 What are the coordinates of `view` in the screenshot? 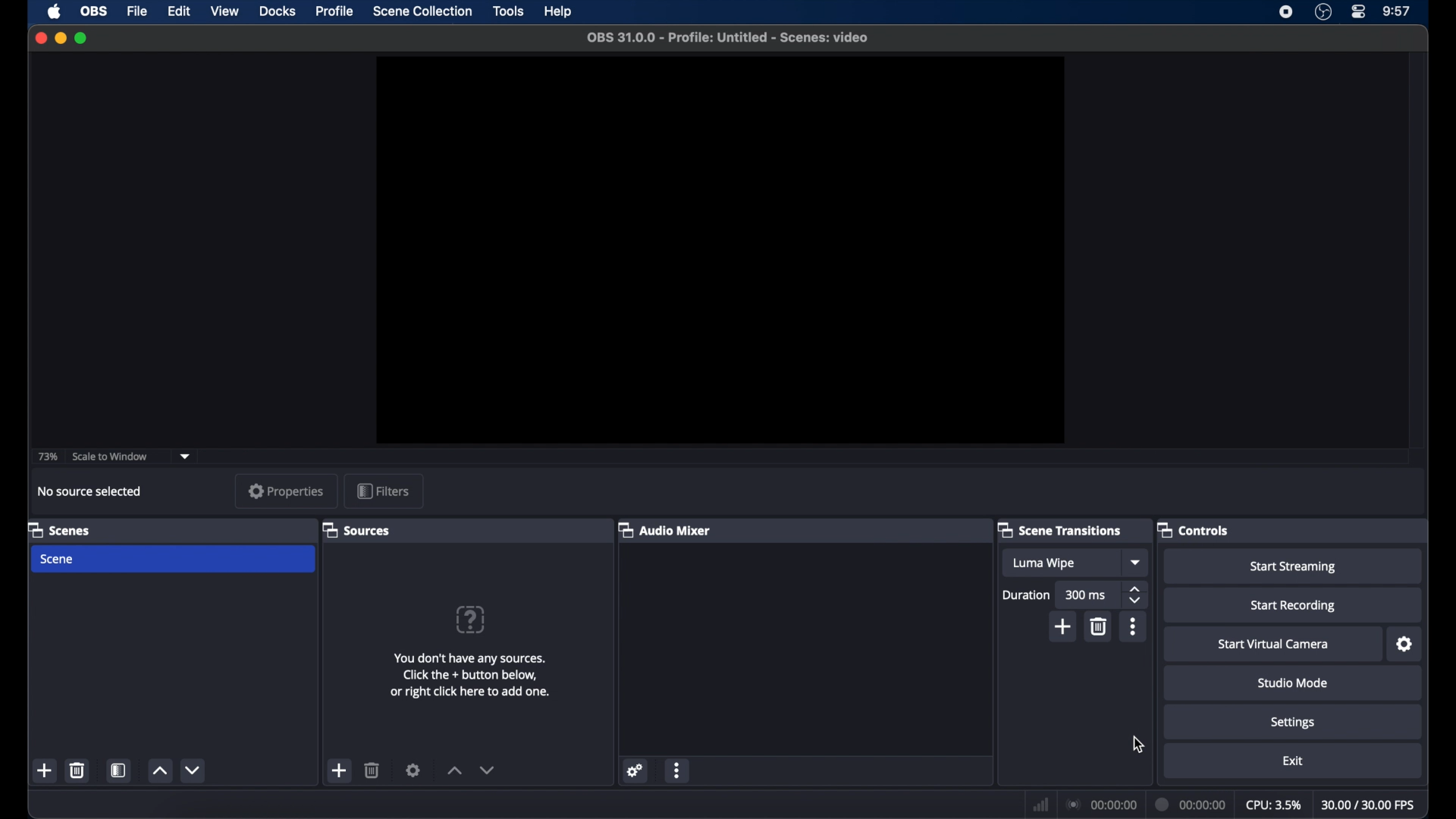 It's located at (224, 11).